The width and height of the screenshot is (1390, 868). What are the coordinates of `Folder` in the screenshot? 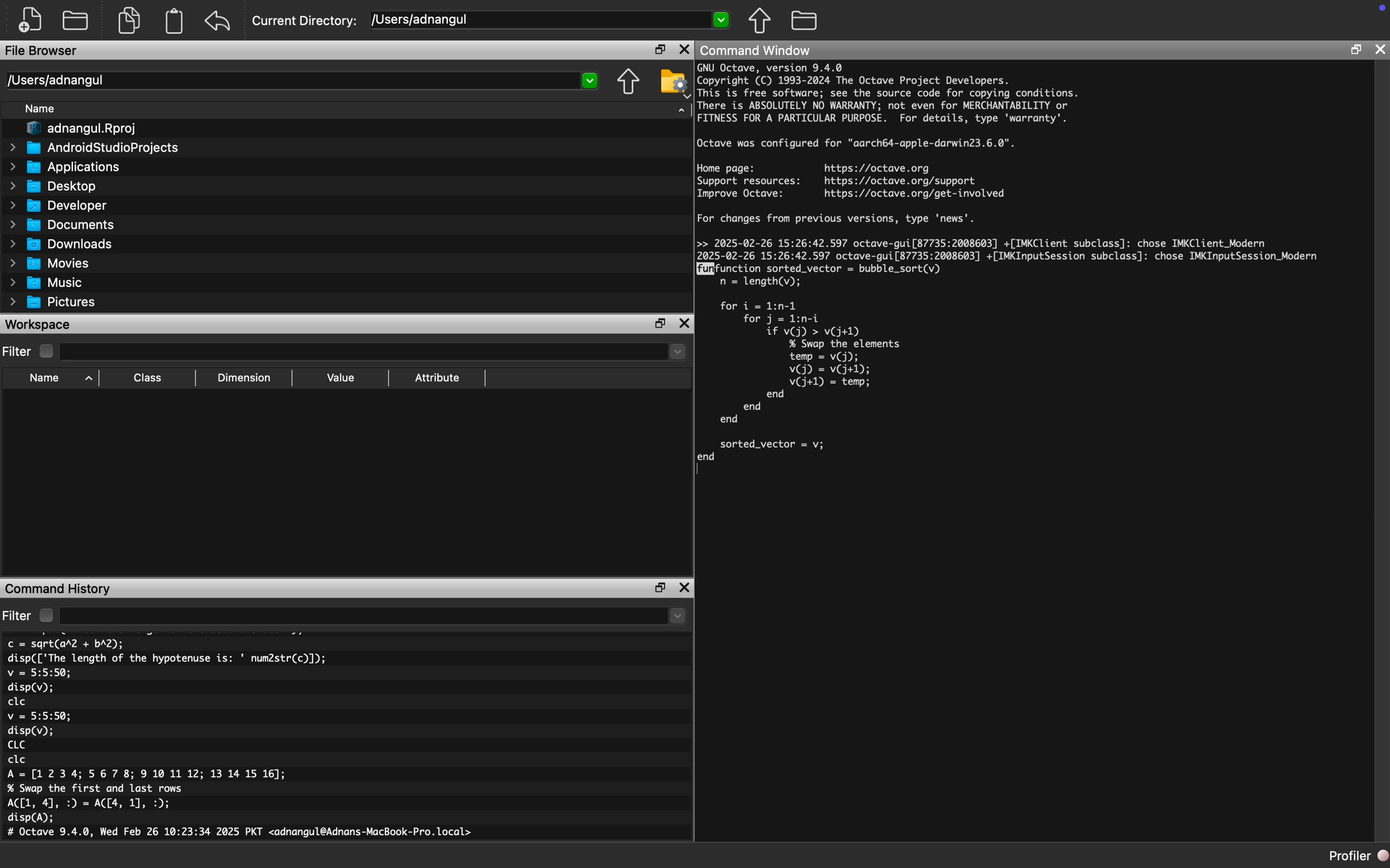 It's located at (805, 21).